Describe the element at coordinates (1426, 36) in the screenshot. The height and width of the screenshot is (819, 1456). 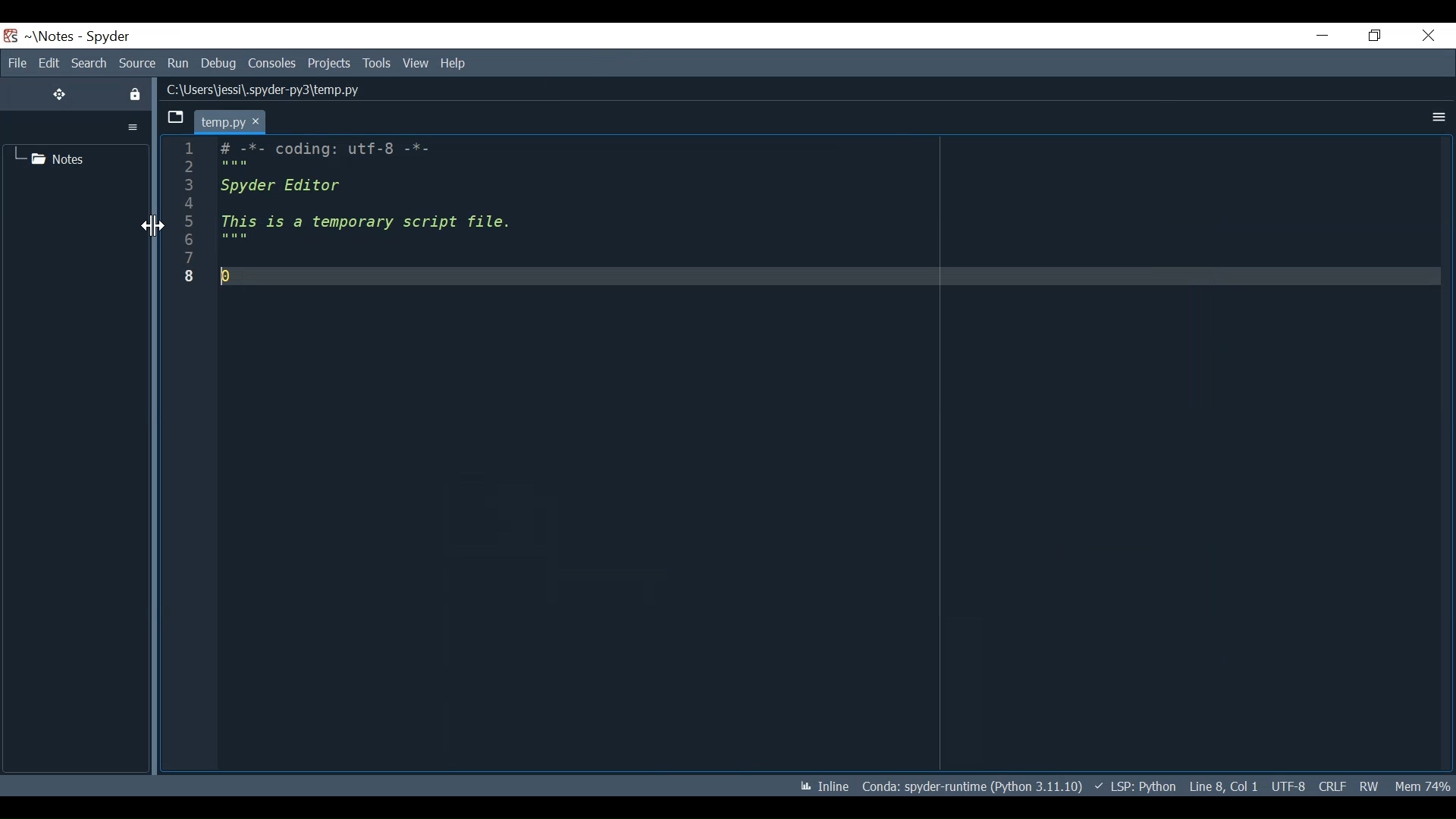
I see `Close` at that location.